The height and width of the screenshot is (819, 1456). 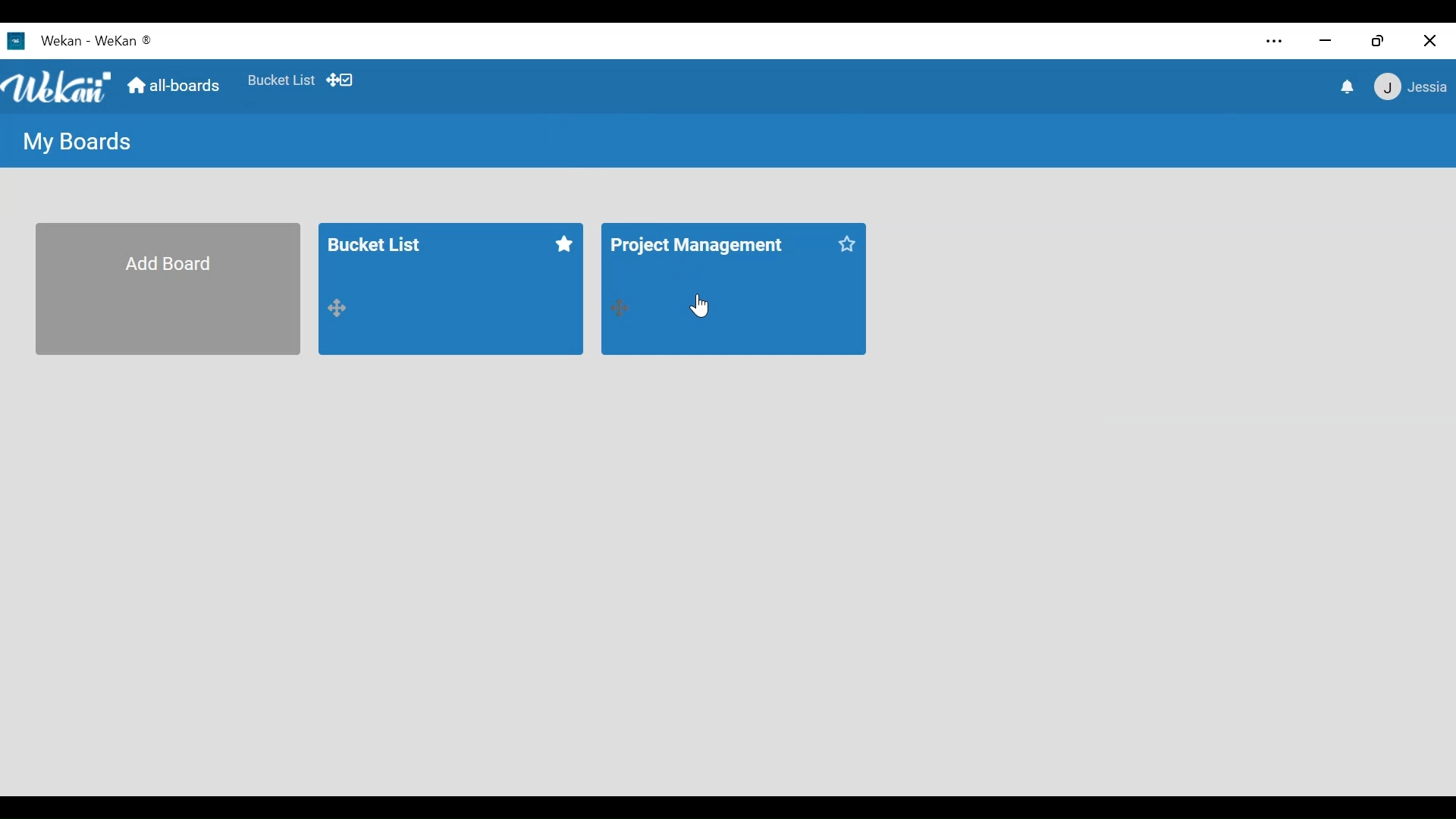 What do you see at coordinates (701, 304) in the screenshot?
I see `Cursor` at bounding box center [701, 304].